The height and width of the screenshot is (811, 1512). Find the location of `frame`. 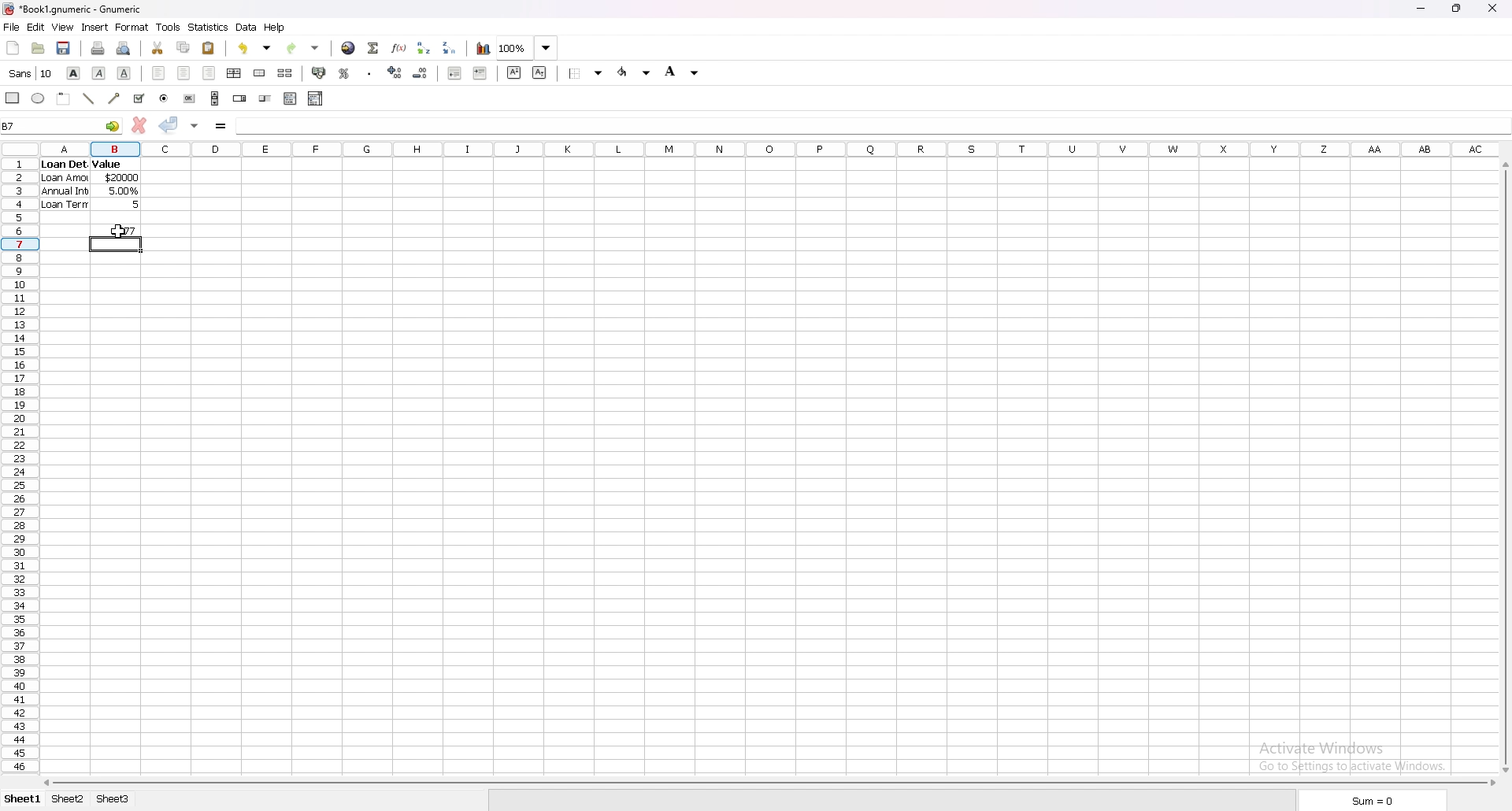

frame is located at coordinates (65, 98).